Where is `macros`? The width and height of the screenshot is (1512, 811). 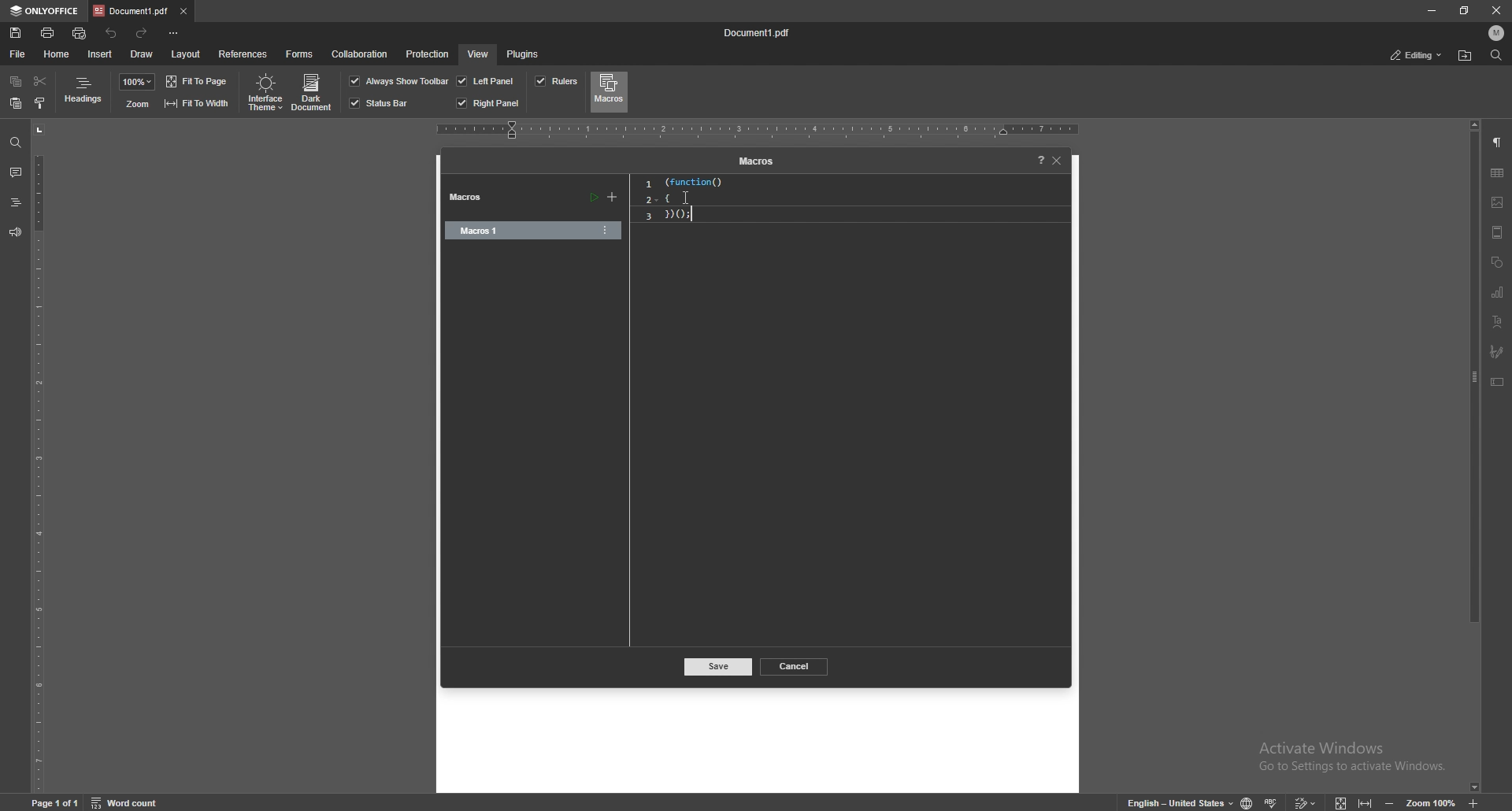
macros is located at coordinates (754, 162).